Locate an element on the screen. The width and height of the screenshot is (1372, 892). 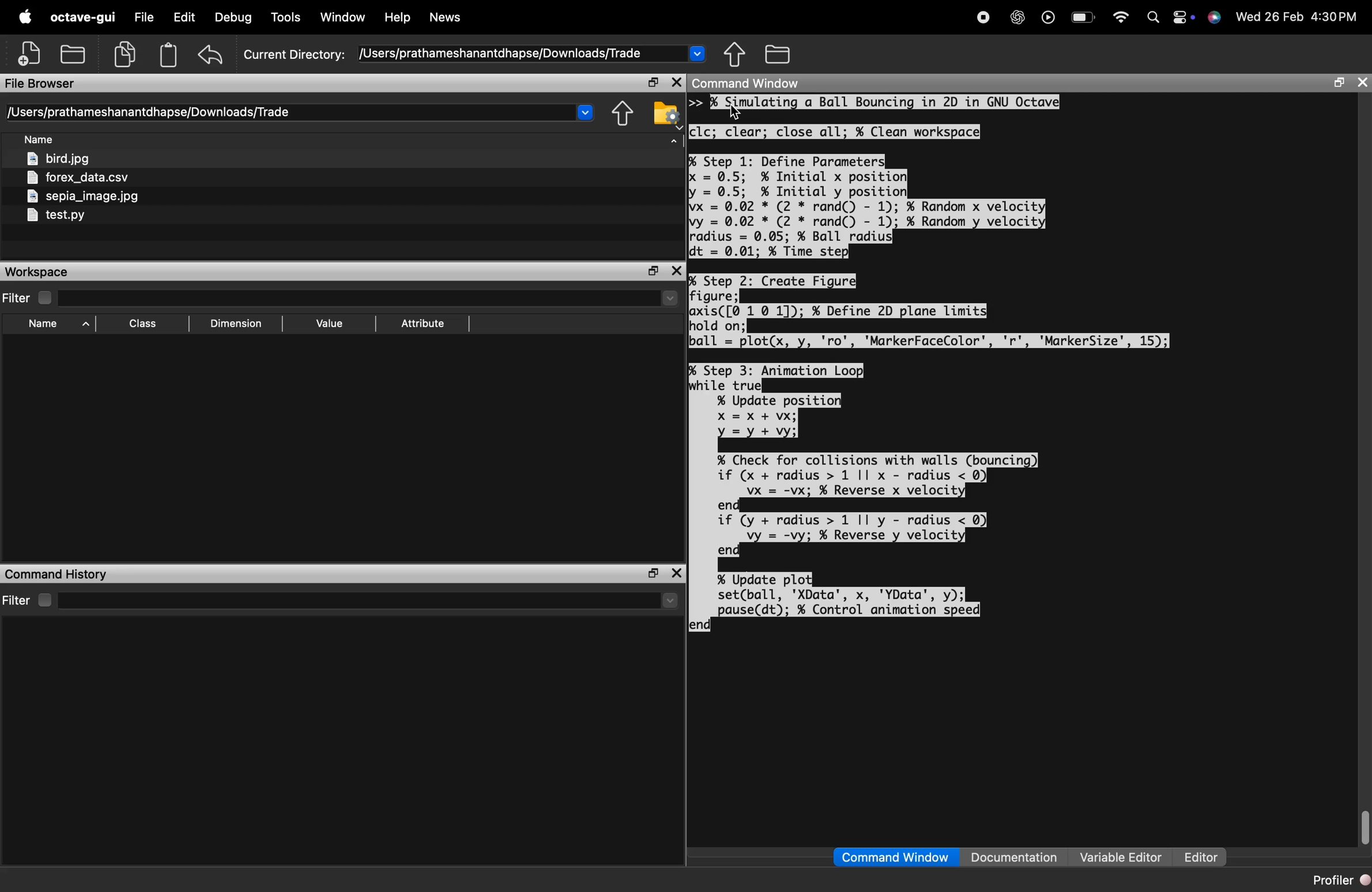
chatgpt is located at coordinates (1018, 17).